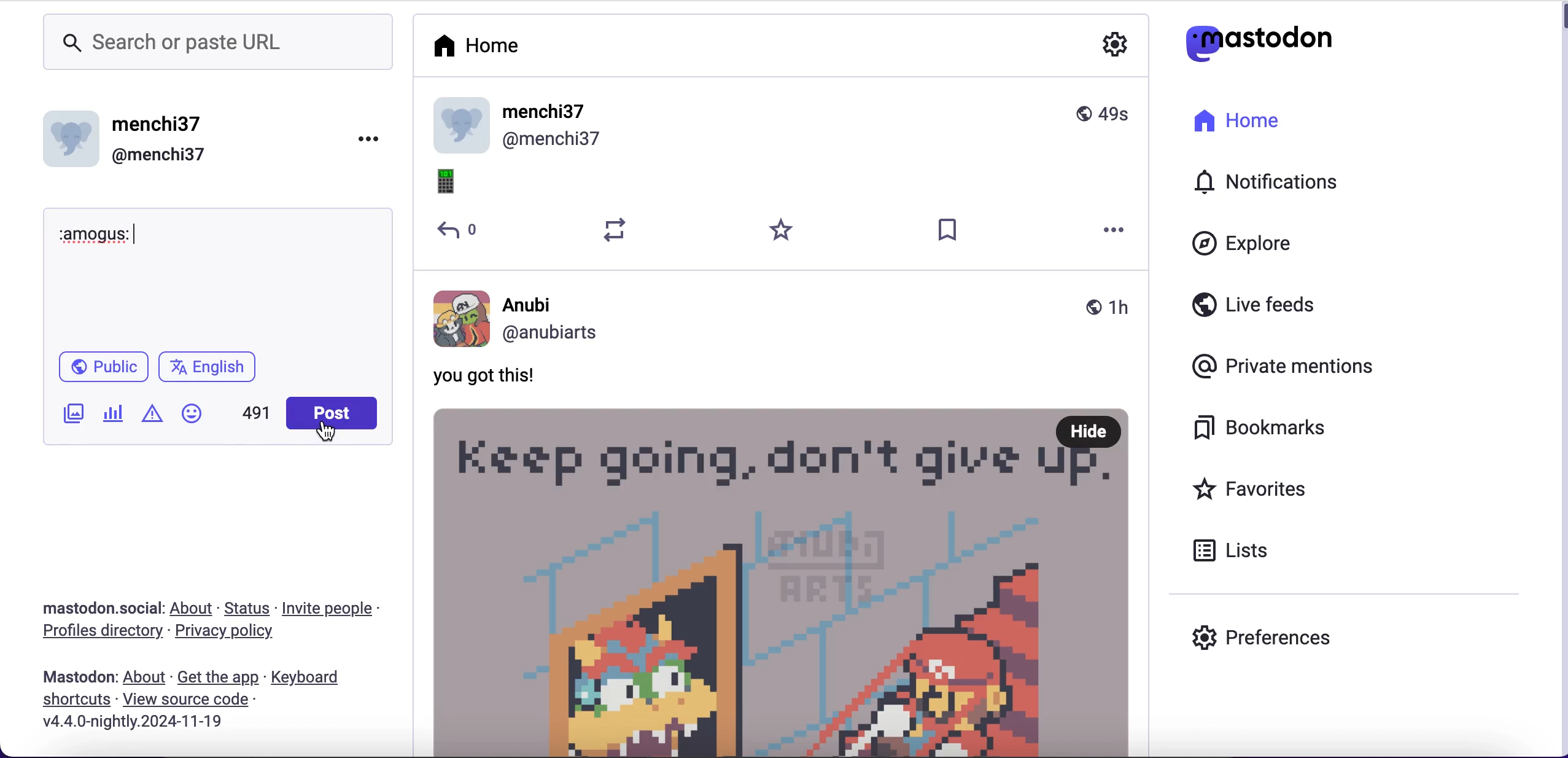 This screenshot has height=758, width=1568. Describe the element at coordinates (144, 677) in the screenshot. I see `about` at that location.